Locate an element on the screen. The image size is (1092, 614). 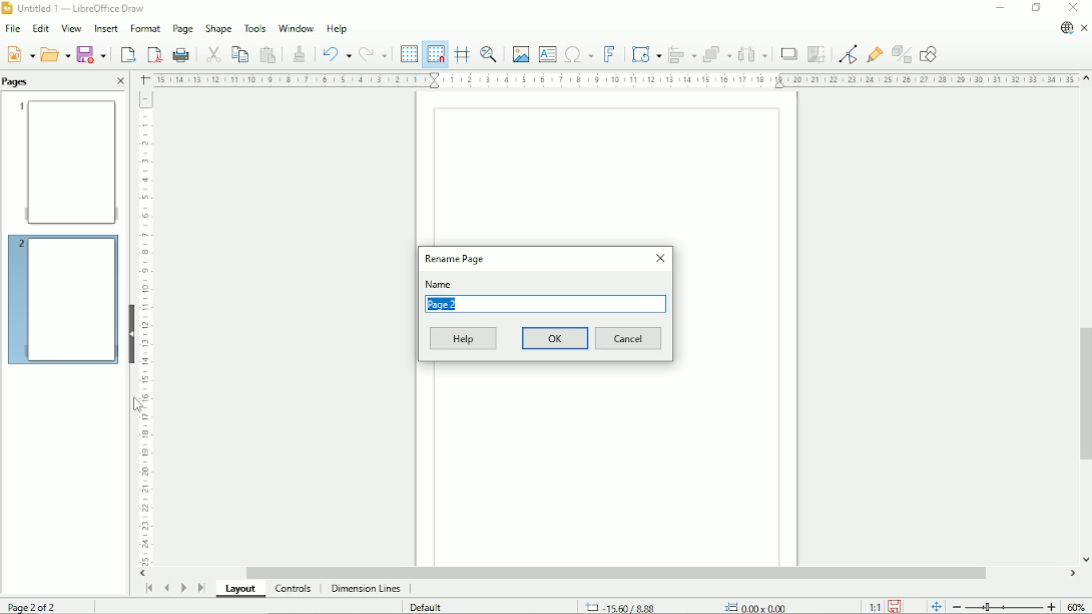
Minimize is located at coordinates (999, 8).